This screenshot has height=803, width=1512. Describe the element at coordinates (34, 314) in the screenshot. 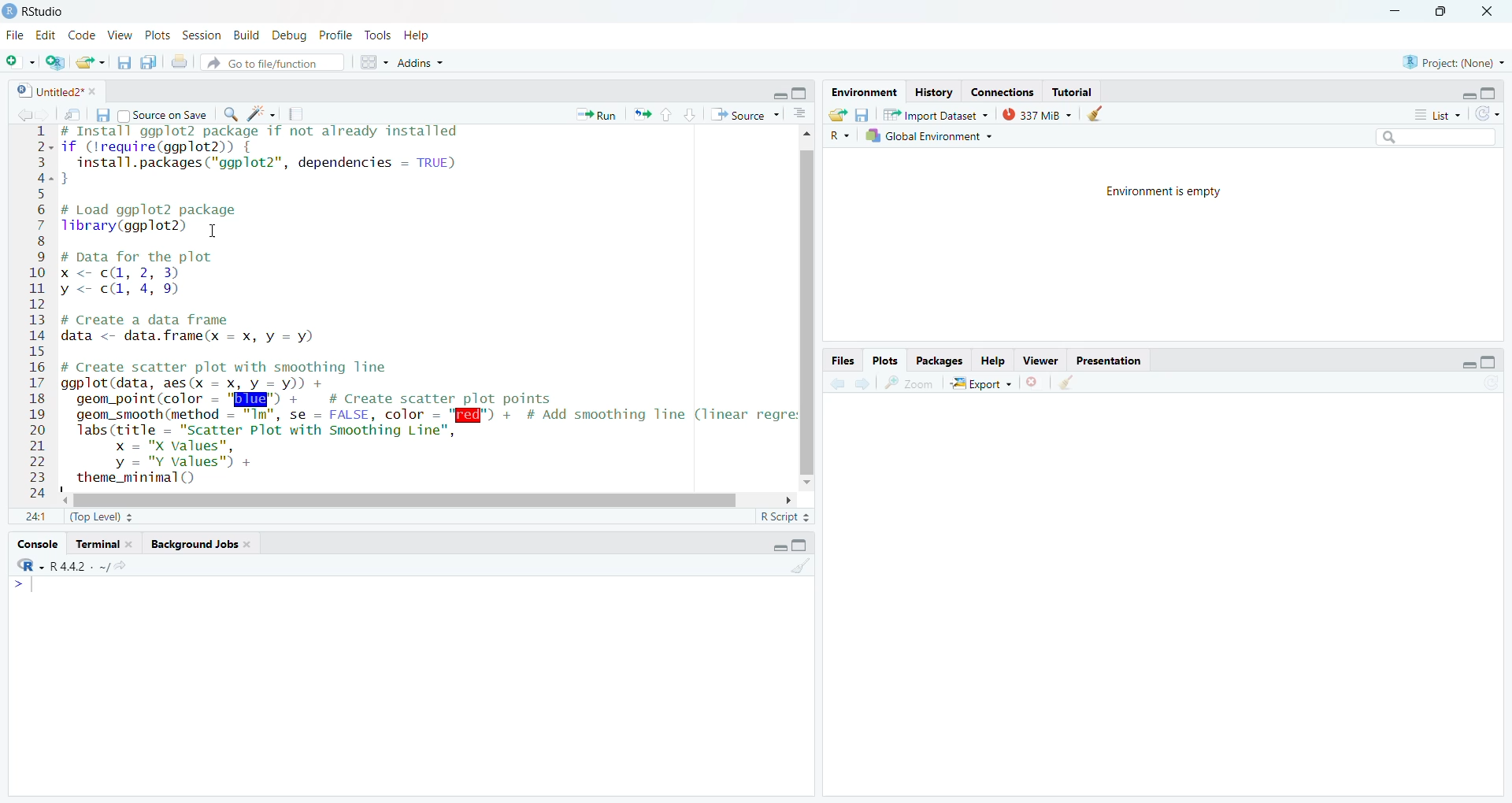

I see `12345678910112131415161718192021222324` at that location.